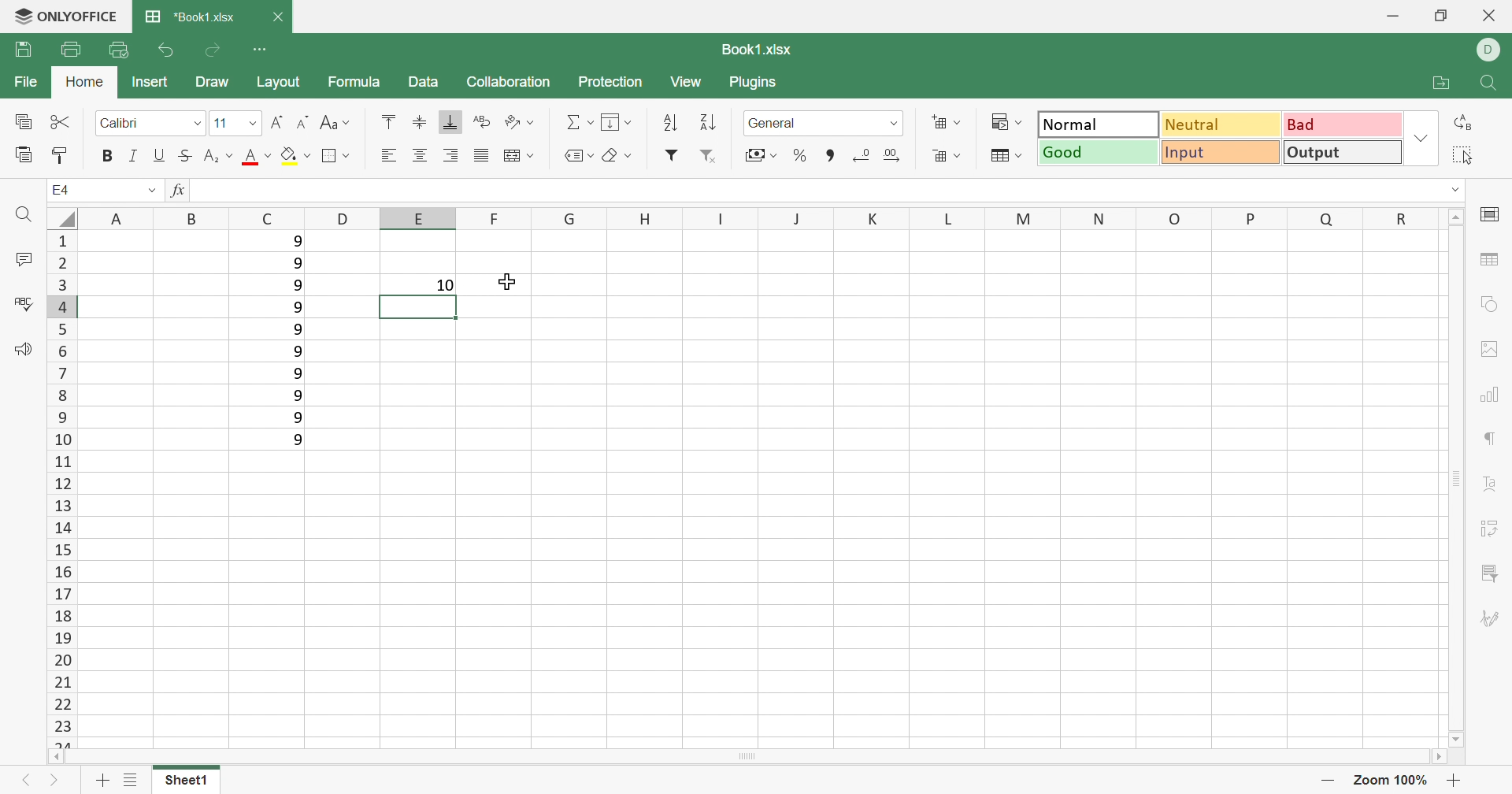  What do you see at coordinates (169, 51) in the screenshot?
I see `Undo` at bounding box center [169, 51].